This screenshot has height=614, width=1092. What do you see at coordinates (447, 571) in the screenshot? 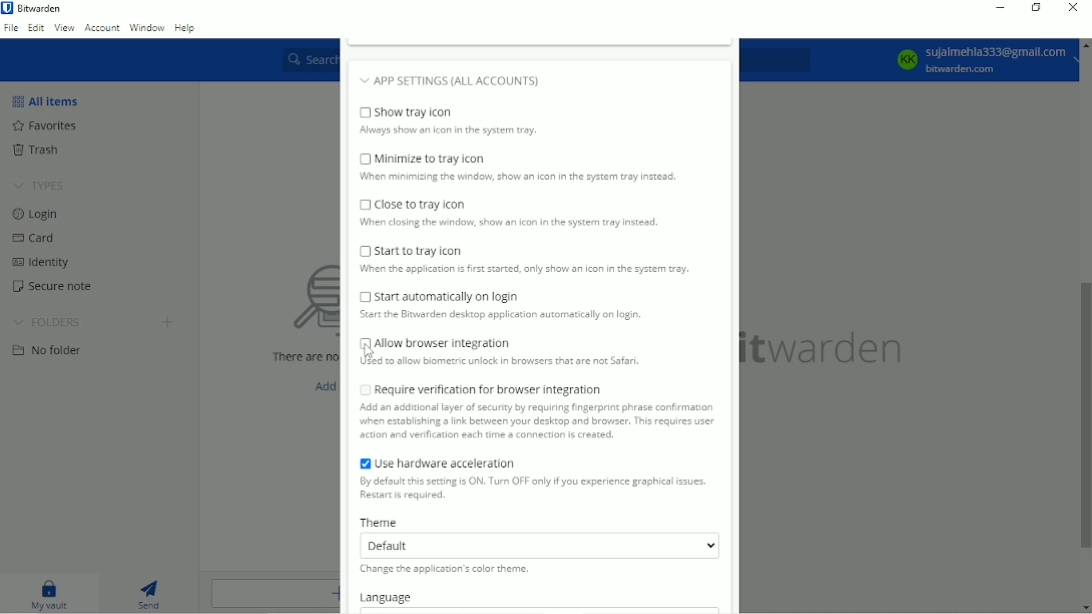
I see `Change the application's color theme.` at bounding box center [447, 571].